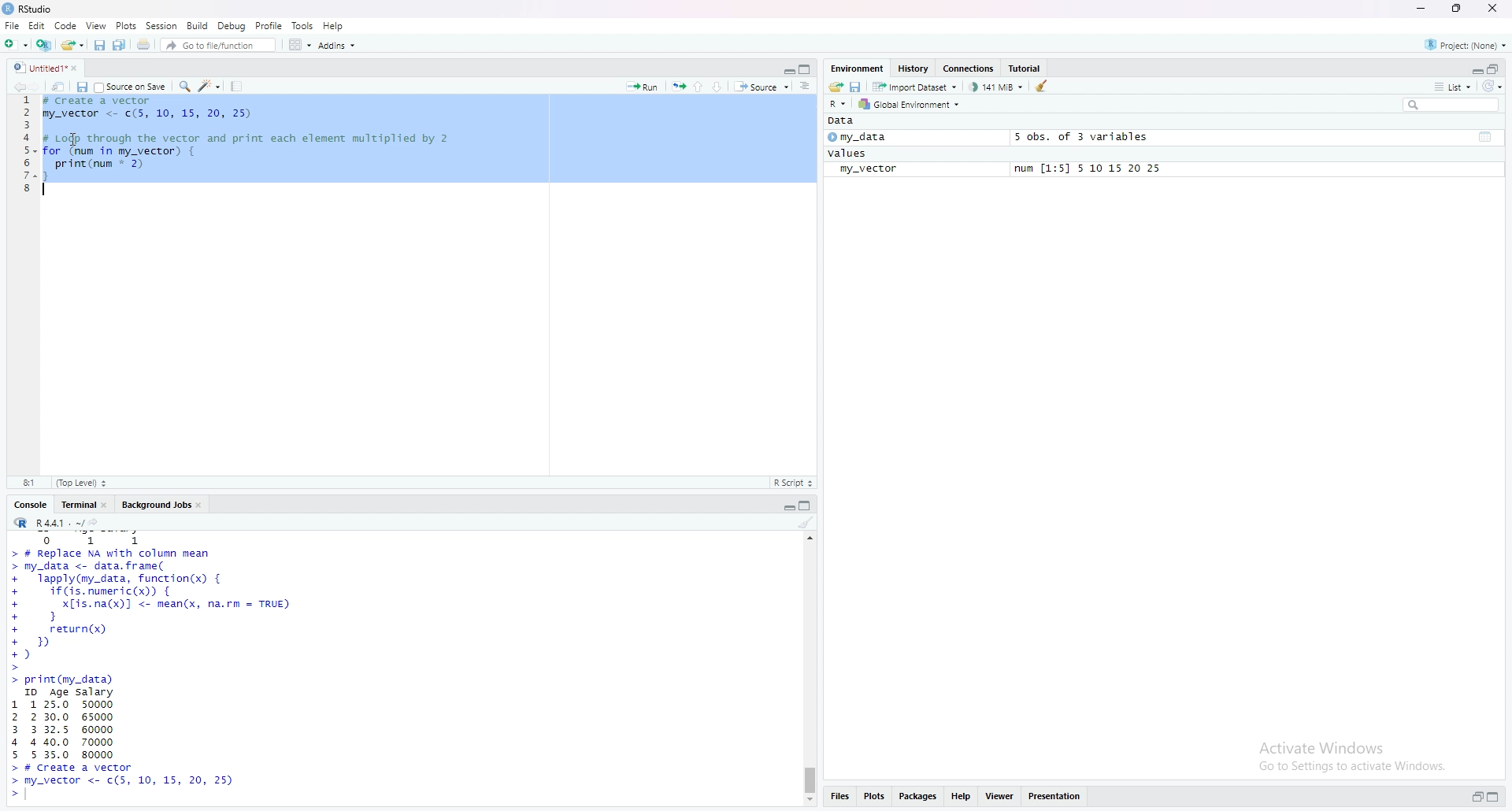 The width and height of the screenshot is (1512, 811). Describe the element at coordinates (1461, 45) in the screenshot. I see `project(none)` at that location.